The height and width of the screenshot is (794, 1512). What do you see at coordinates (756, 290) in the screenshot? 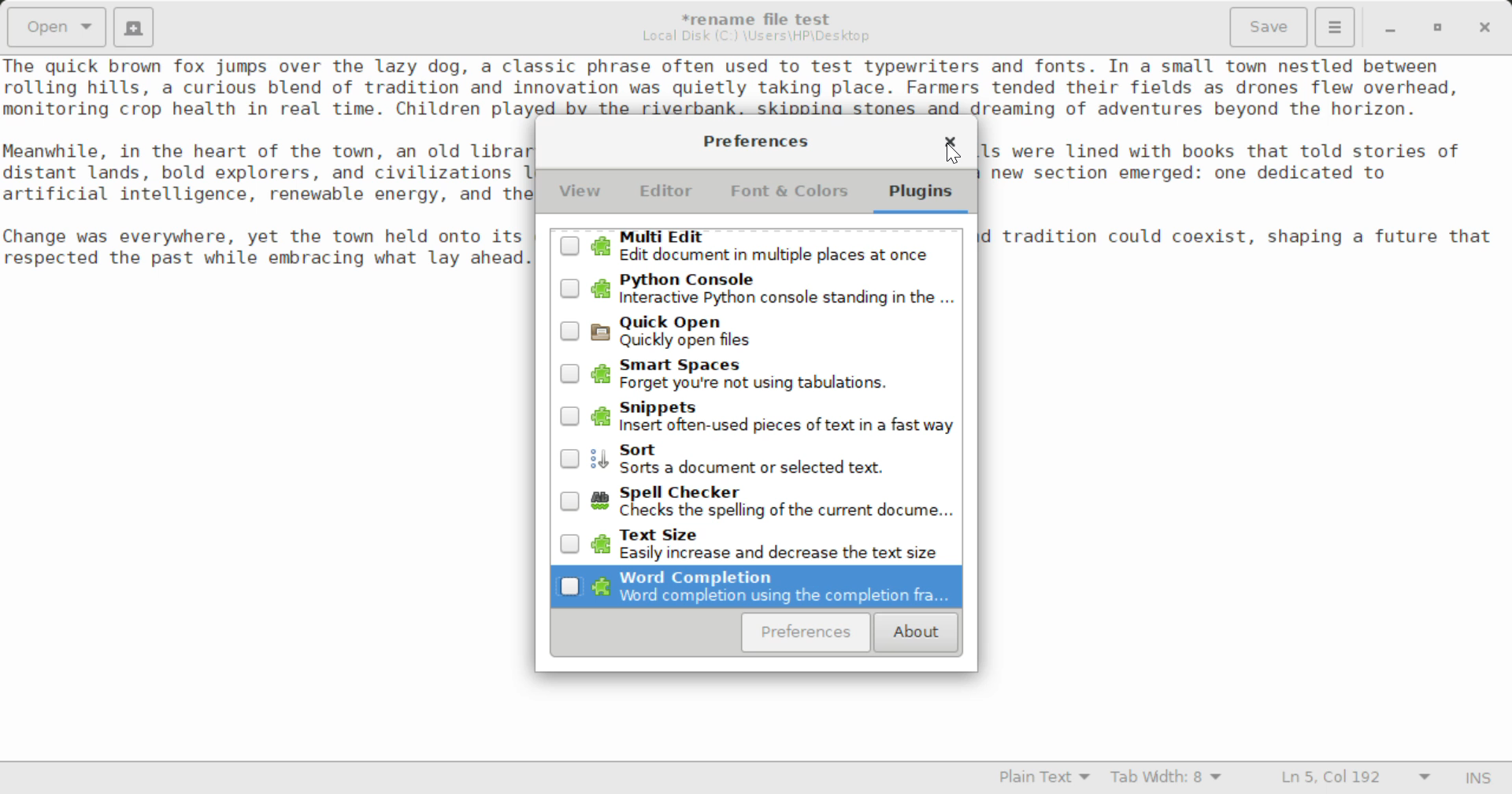
I see `Python Console Plugin Button Unselected` at bounding box center [756, 290].